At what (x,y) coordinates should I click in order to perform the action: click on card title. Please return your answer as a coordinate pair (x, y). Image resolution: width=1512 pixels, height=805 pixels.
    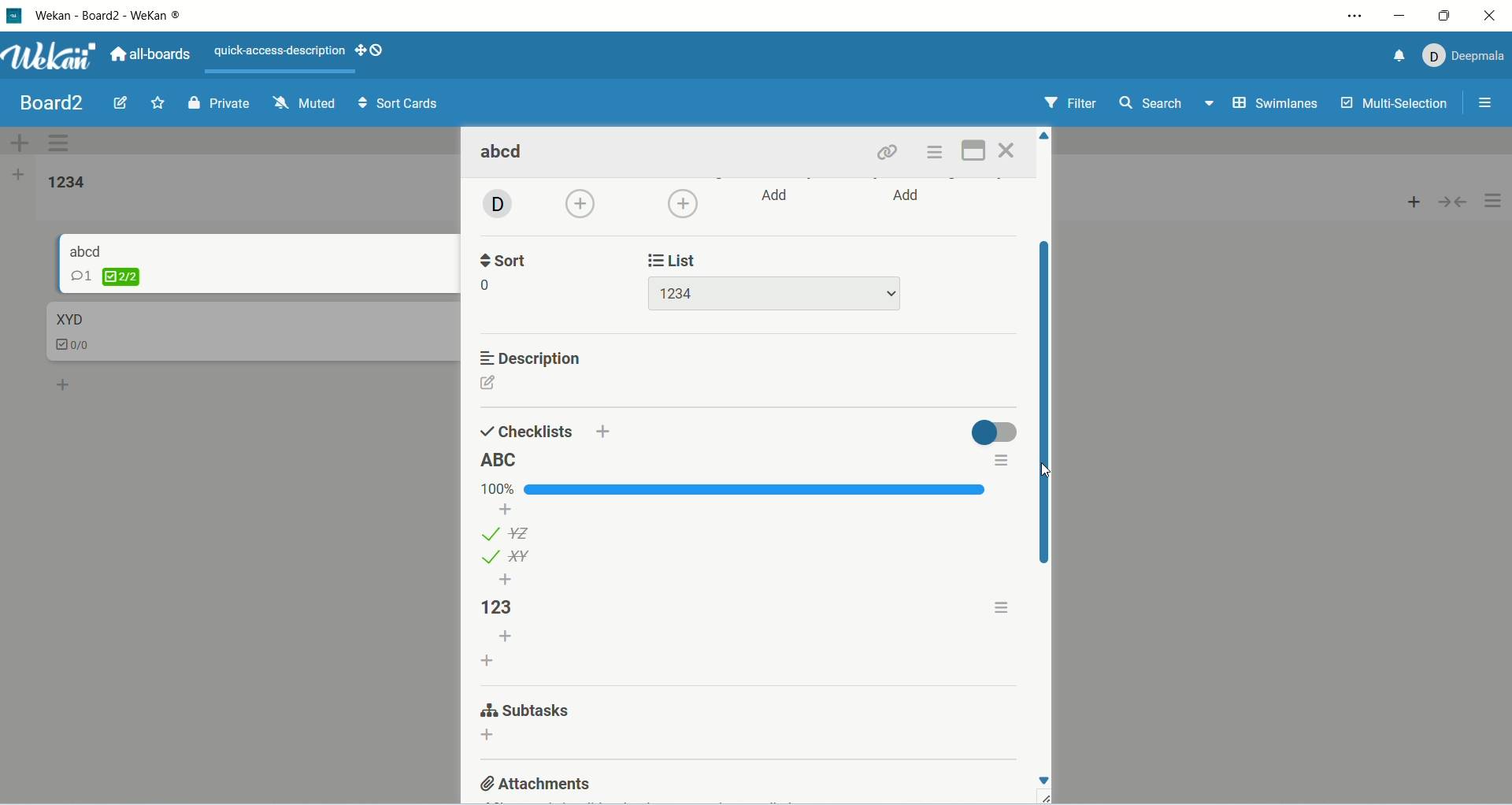
    Looking at the image, I should click on (87, 250).